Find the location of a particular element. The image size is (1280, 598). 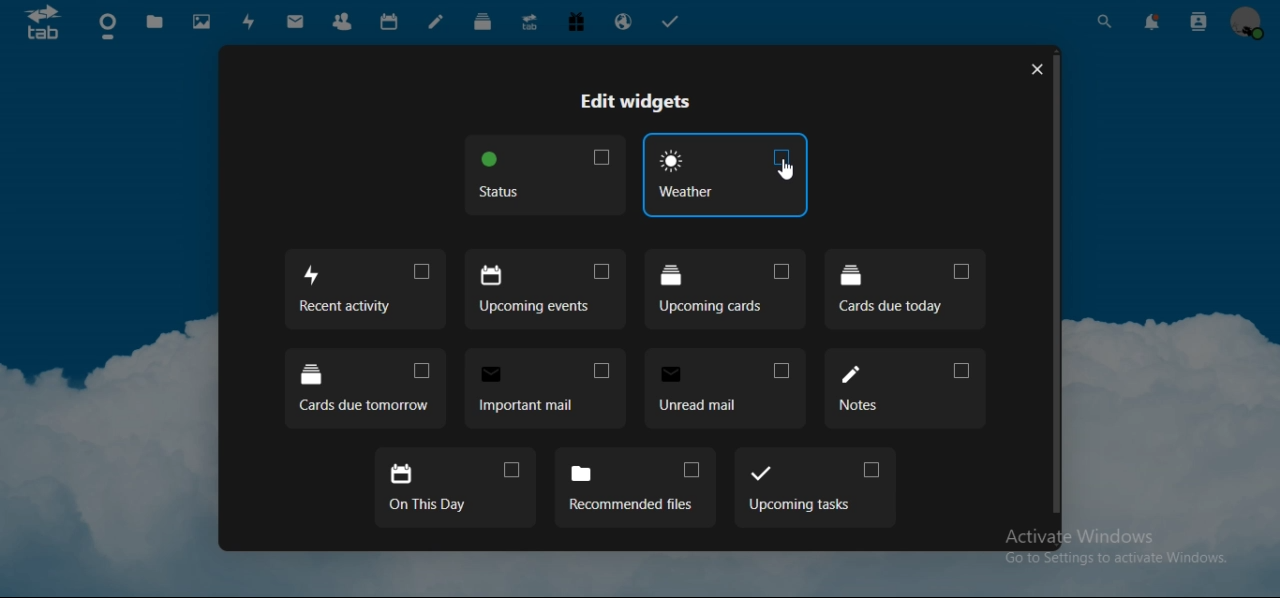

view profile is located at coordinates (1247, 23).